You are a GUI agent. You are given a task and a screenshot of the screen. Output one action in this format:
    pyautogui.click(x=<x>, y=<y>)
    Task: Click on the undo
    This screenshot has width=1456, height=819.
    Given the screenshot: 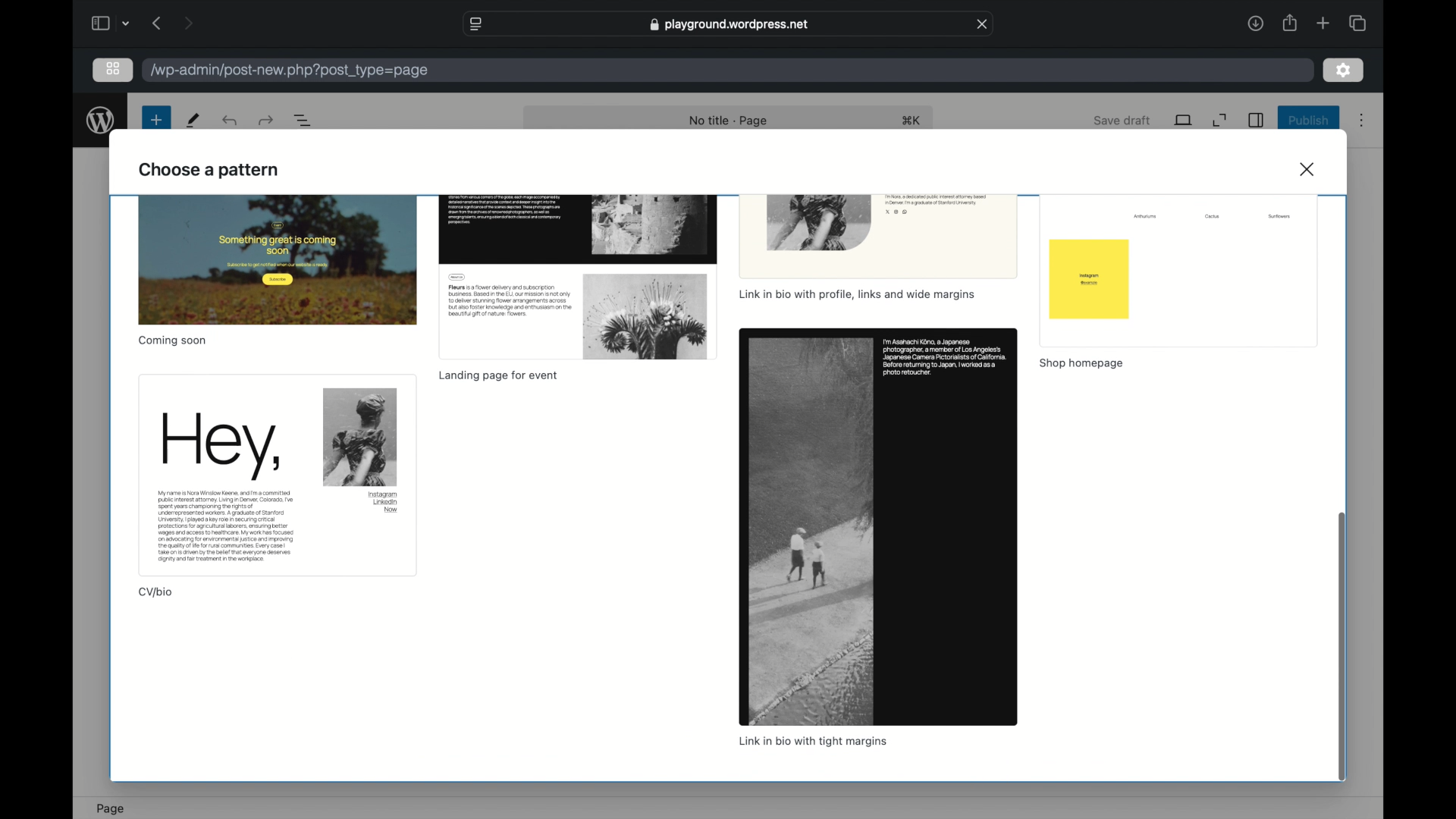 What is the action you would take?
    pyautogui.click(x=265, y=120)
    